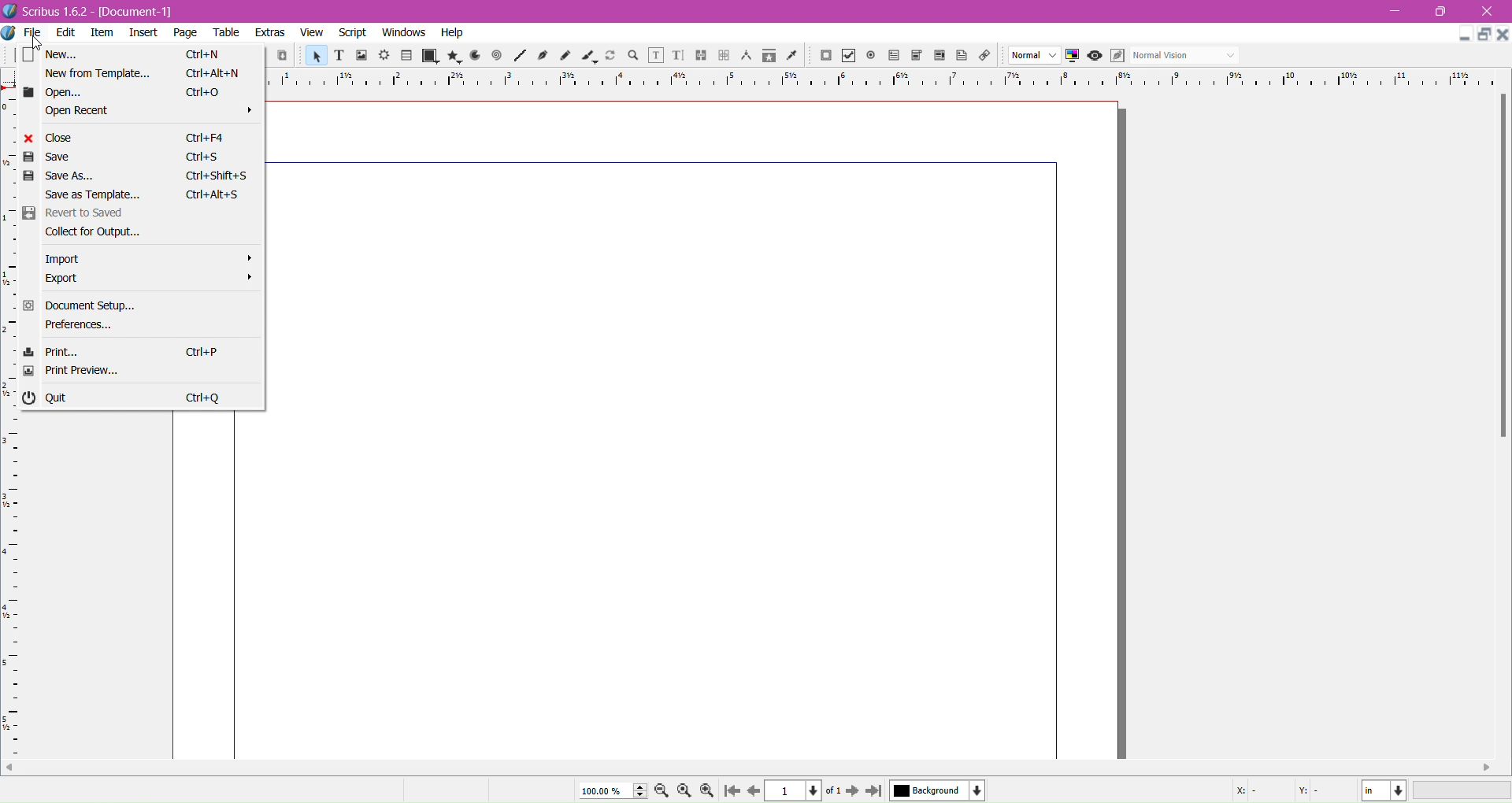  What do you see at coordinates (80, 372) in the screenshot?
I see `Print Preview` at bounding box center [80, 372].